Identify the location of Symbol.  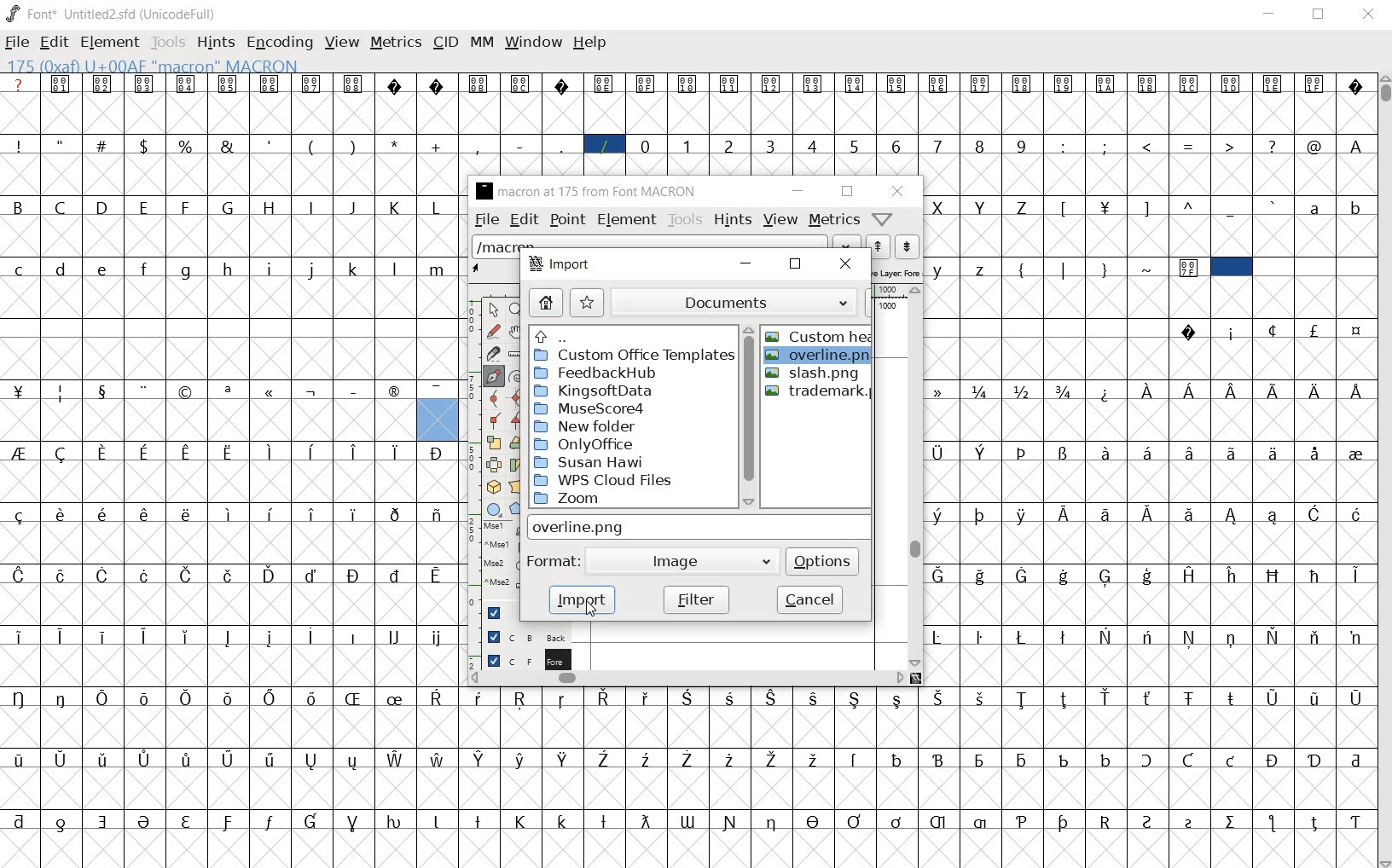
(1232, 389).